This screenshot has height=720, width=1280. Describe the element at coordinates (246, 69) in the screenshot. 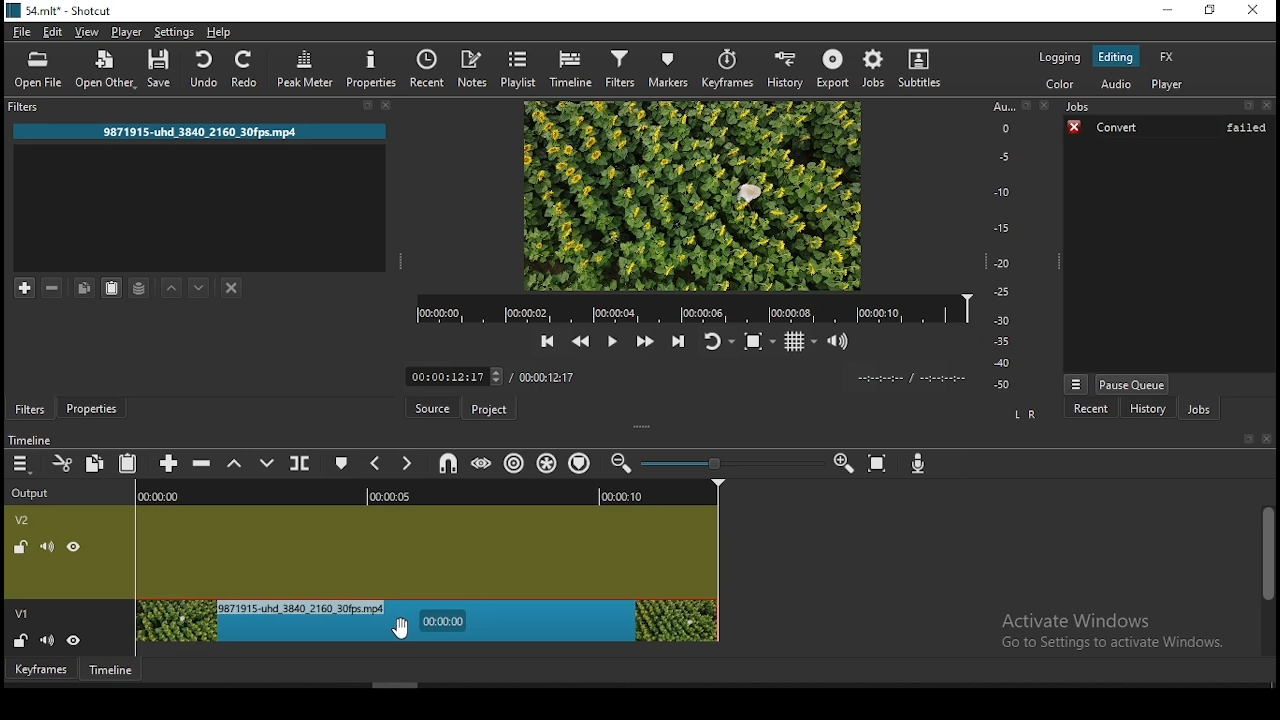

I see `redo` at that location.